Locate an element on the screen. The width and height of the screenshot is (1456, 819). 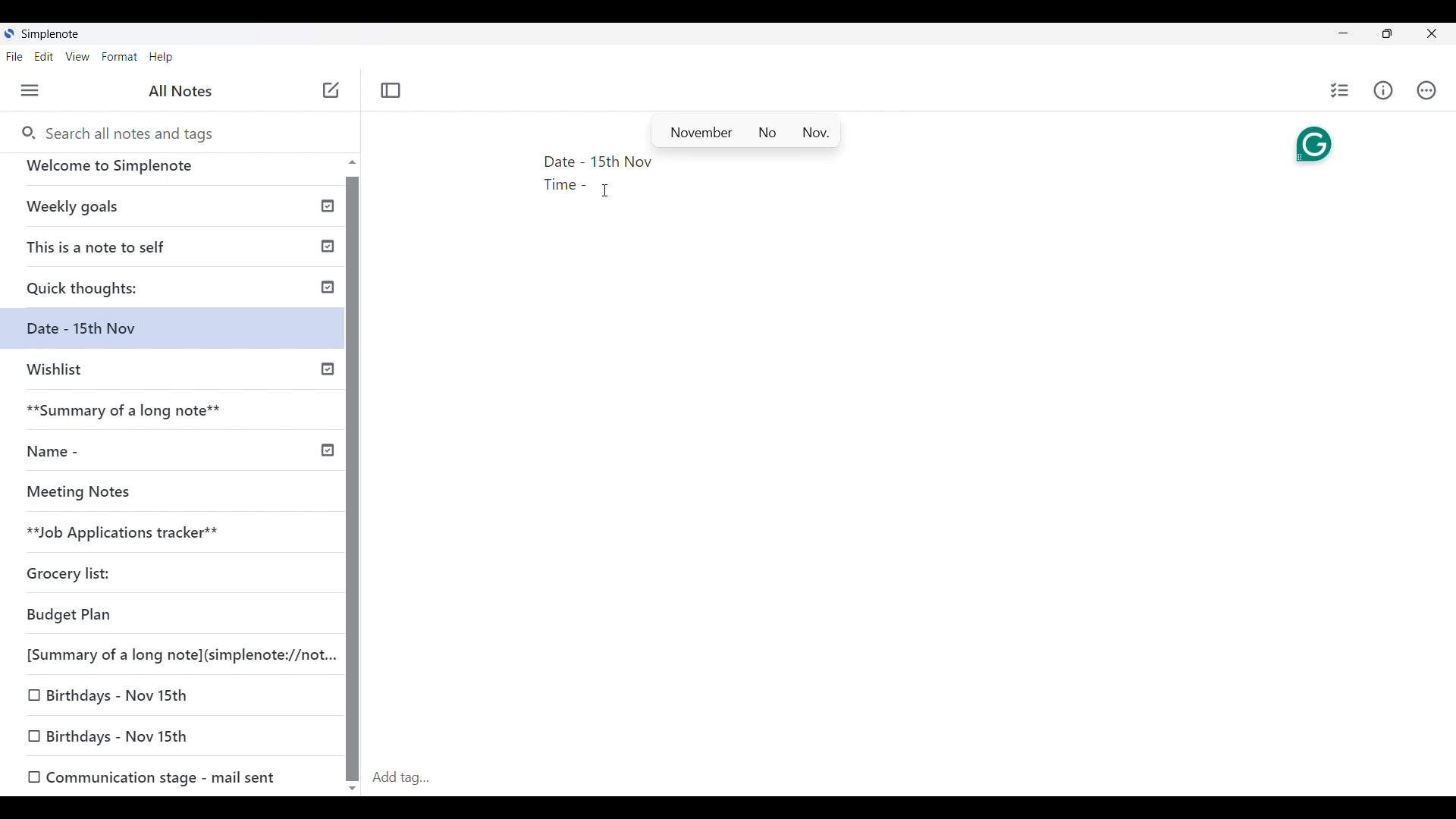
Software logo is located at coordinates (9, 33).